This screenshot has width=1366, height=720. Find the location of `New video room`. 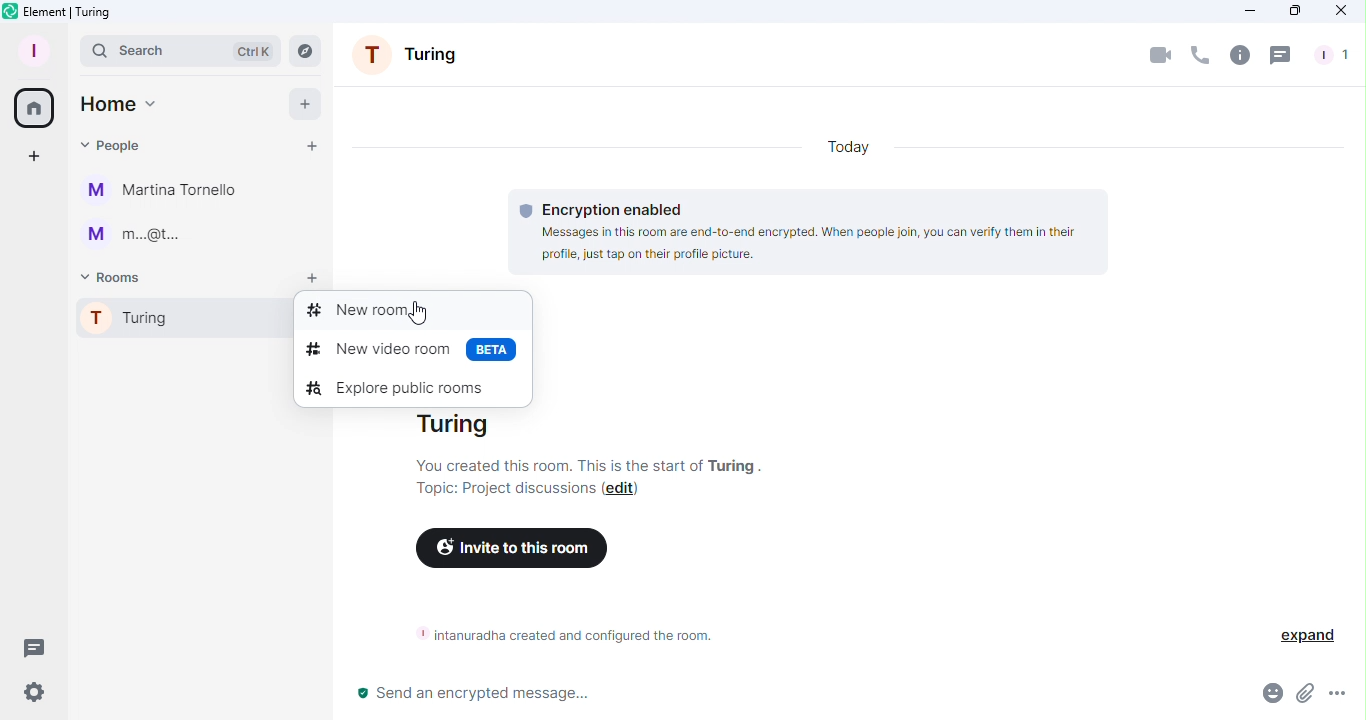

New video room is located at coordinates (409, 347).